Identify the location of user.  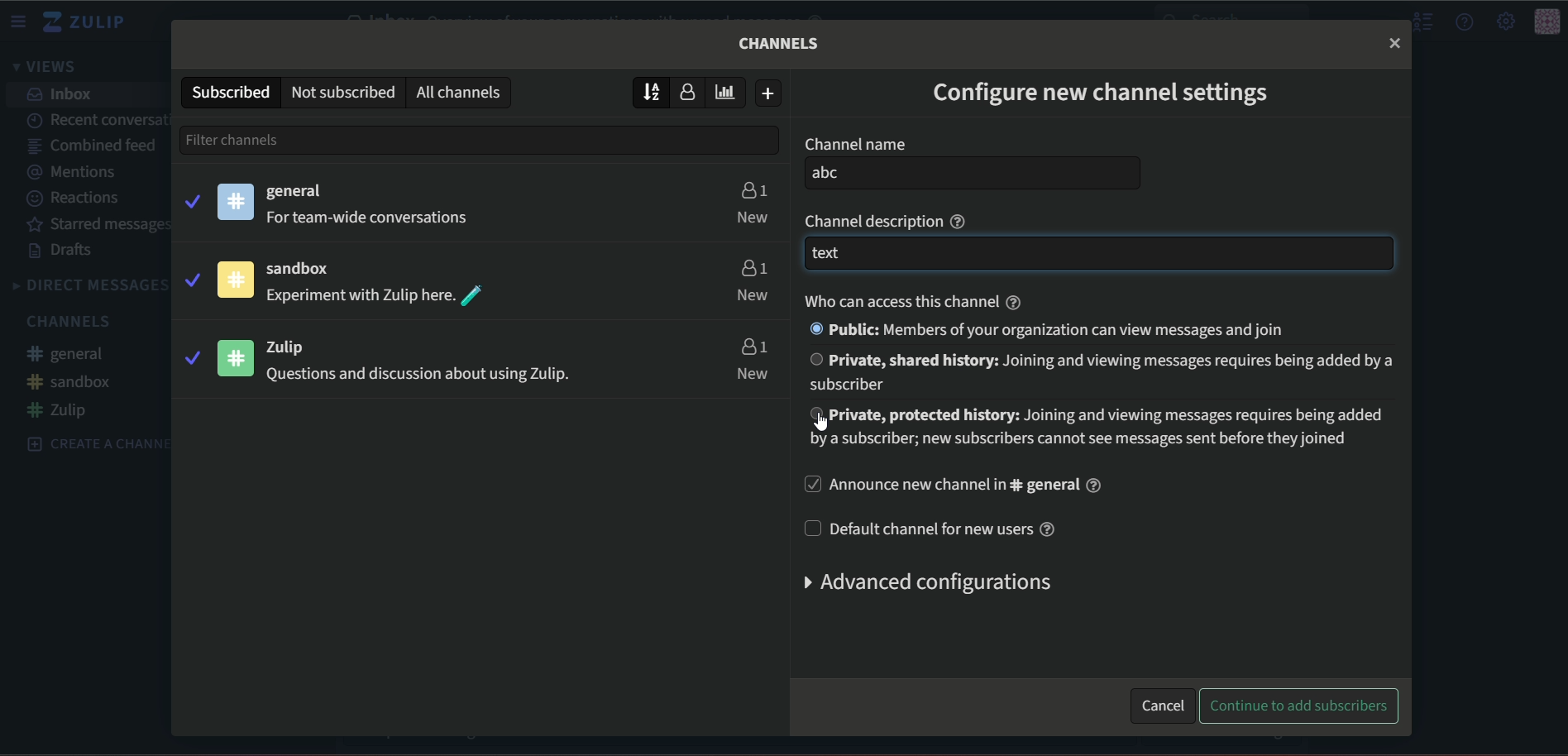
(692, 93).